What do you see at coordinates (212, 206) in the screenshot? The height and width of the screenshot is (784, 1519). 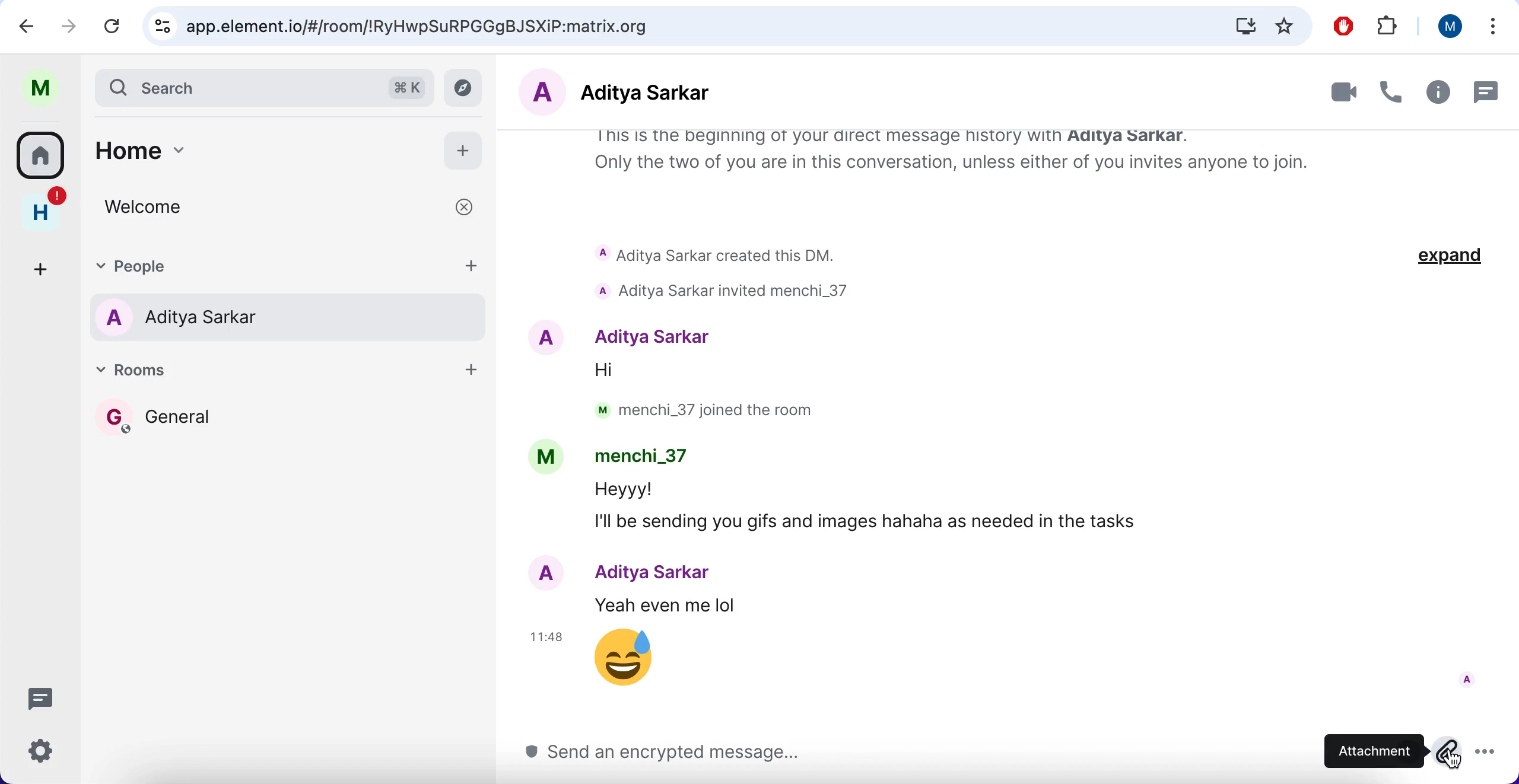 I see `welcome` at bounding box center [212, 206].